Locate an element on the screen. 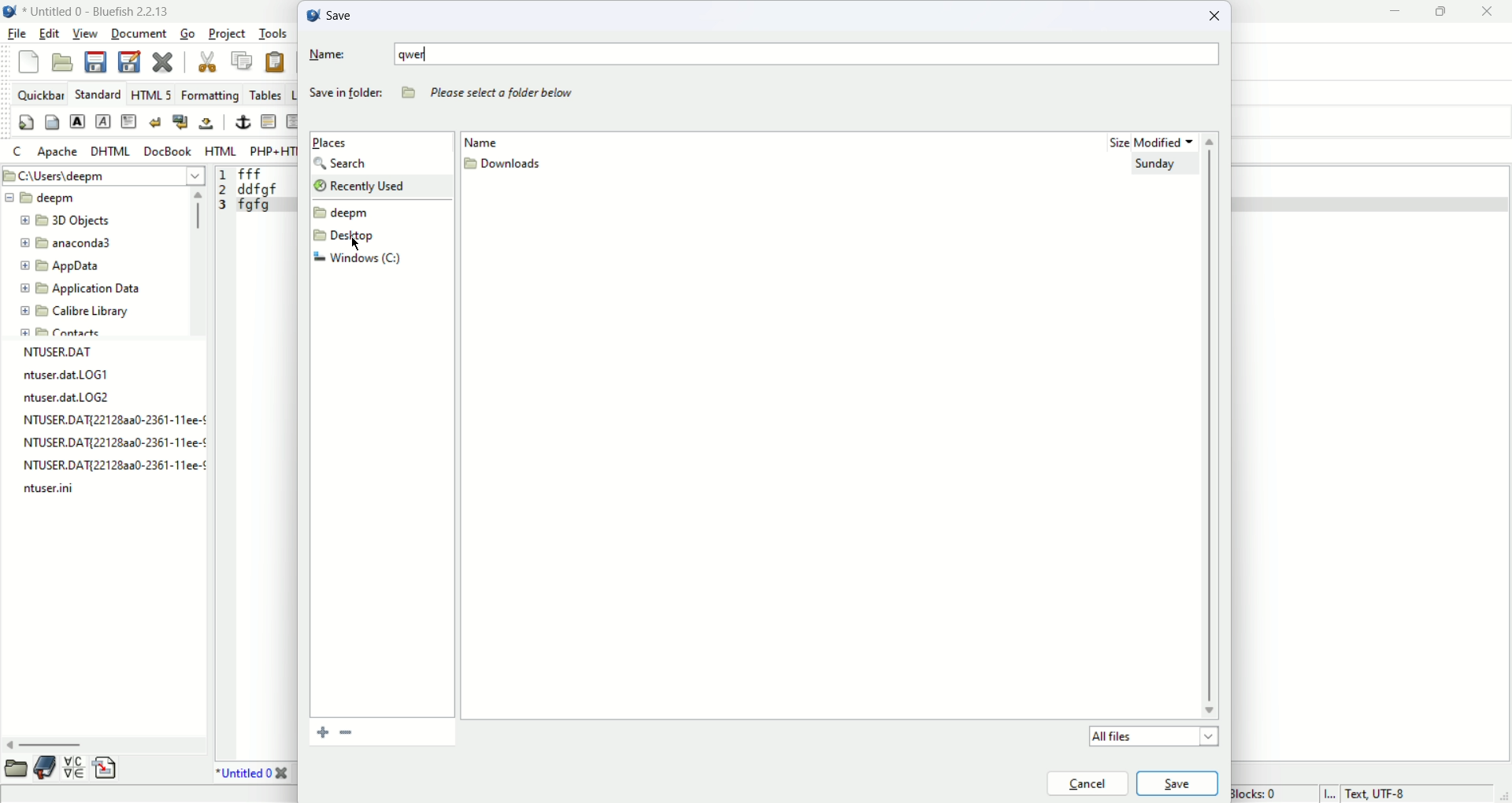 This screenshot has width=1512, height=803. save is located at coordinates (330, 14).